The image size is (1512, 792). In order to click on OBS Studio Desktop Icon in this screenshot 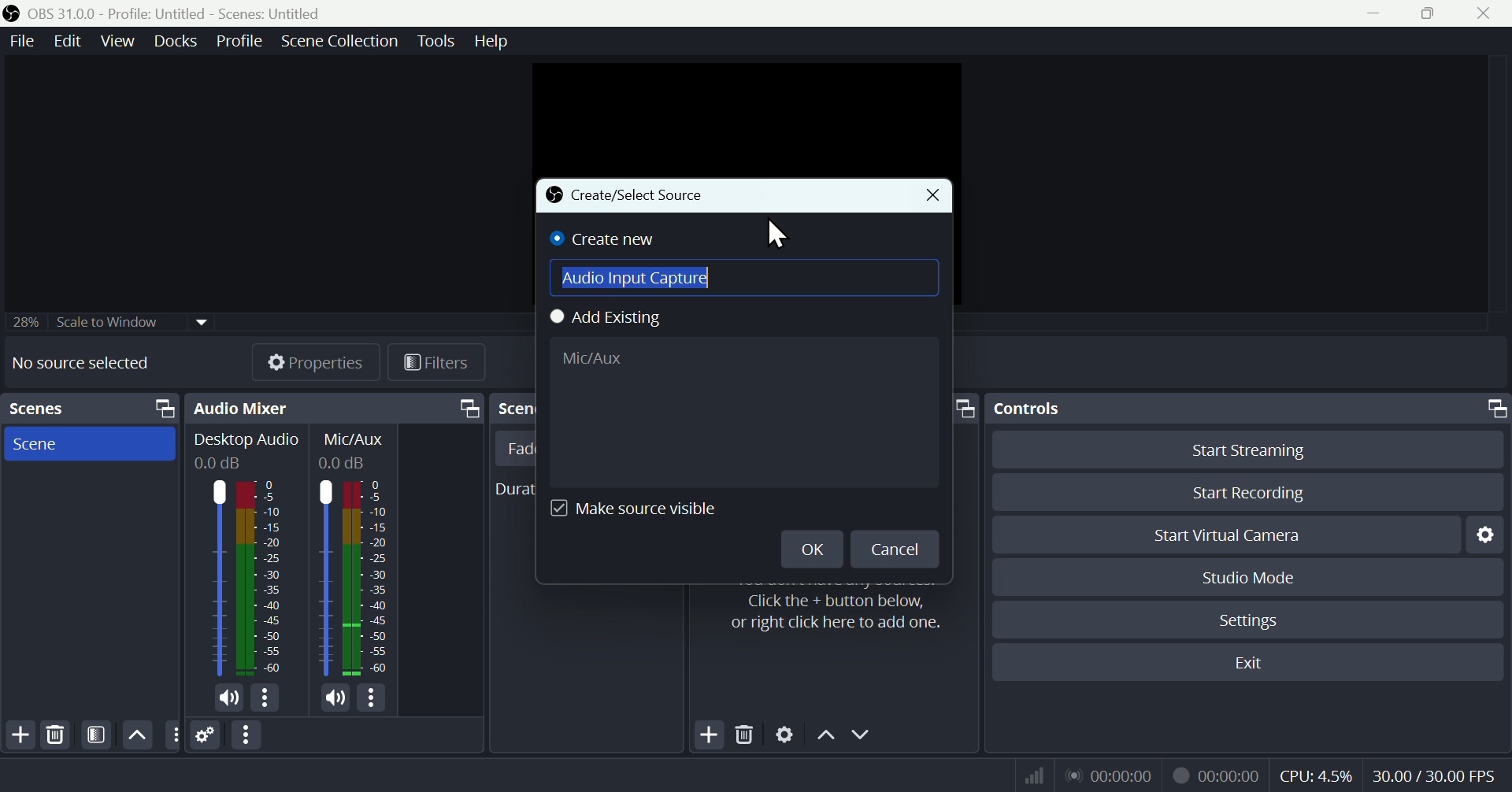, I will do `click(12, 13)`.